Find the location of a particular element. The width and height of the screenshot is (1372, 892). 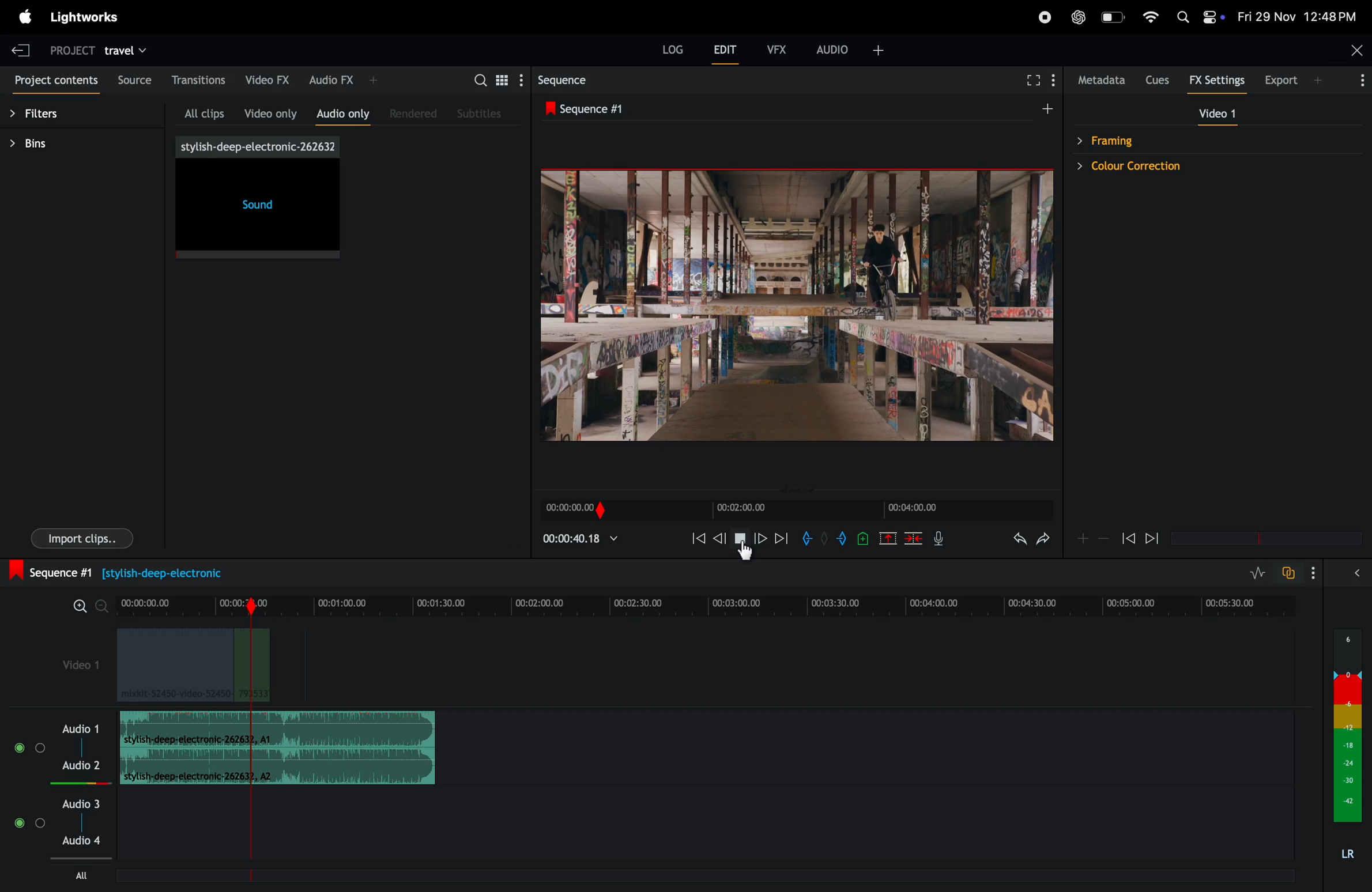

Toggle is located at coordinates (40, 747).